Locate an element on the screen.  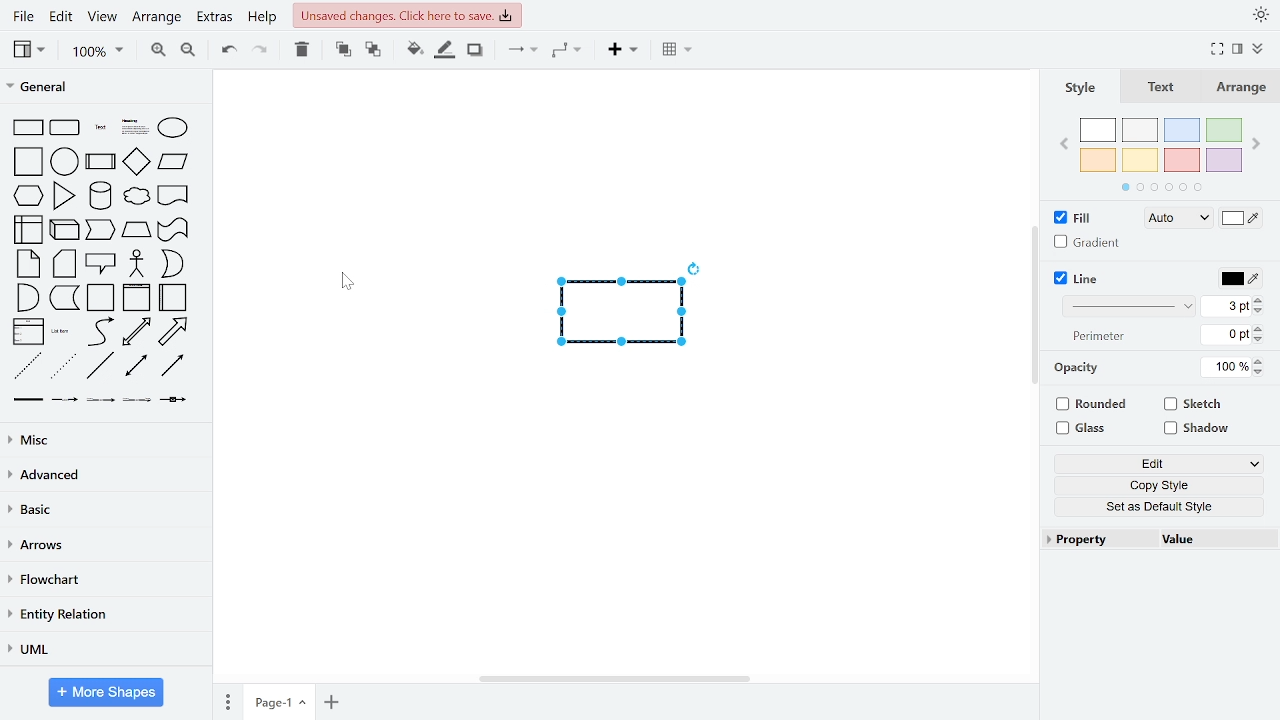
style is located at coordinates (1082, 86).